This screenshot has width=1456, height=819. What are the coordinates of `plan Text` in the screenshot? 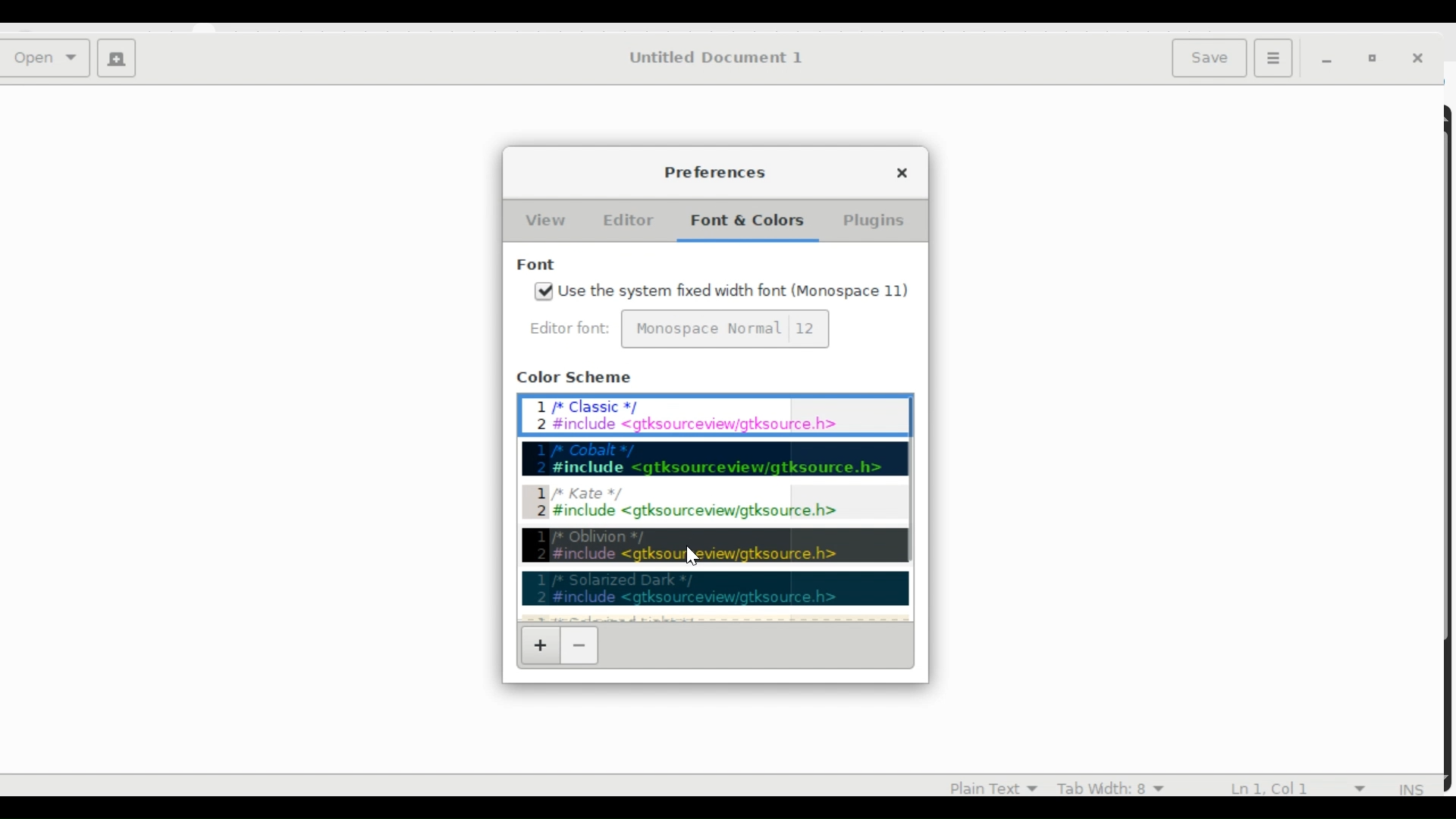 It's located at (984, 786).